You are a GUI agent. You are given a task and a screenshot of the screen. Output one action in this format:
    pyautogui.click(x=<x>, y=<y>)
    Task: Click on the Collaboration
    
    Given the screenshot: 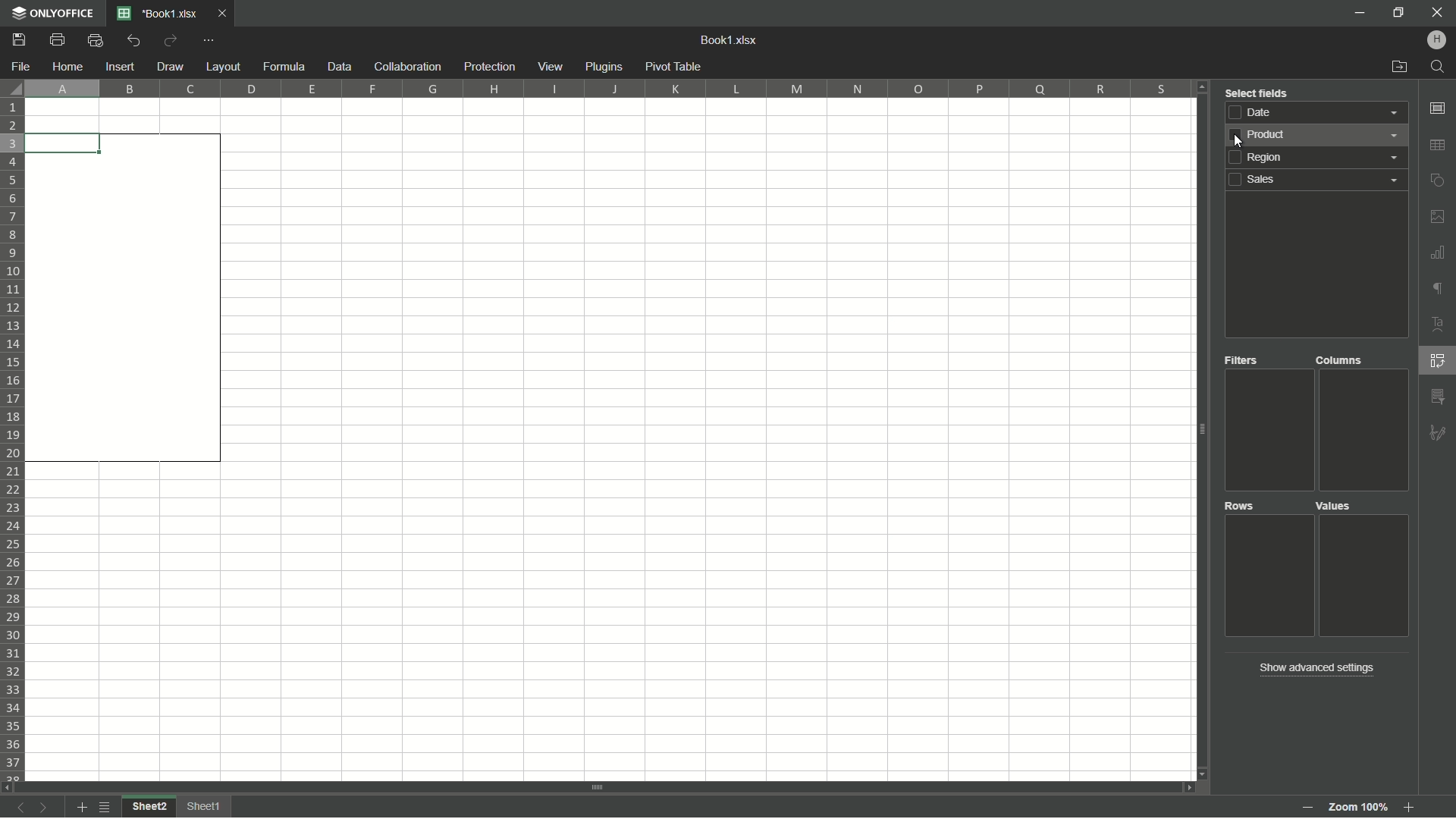 What is the action you would take?
    pyautogui.click(x=406, y=67)
    